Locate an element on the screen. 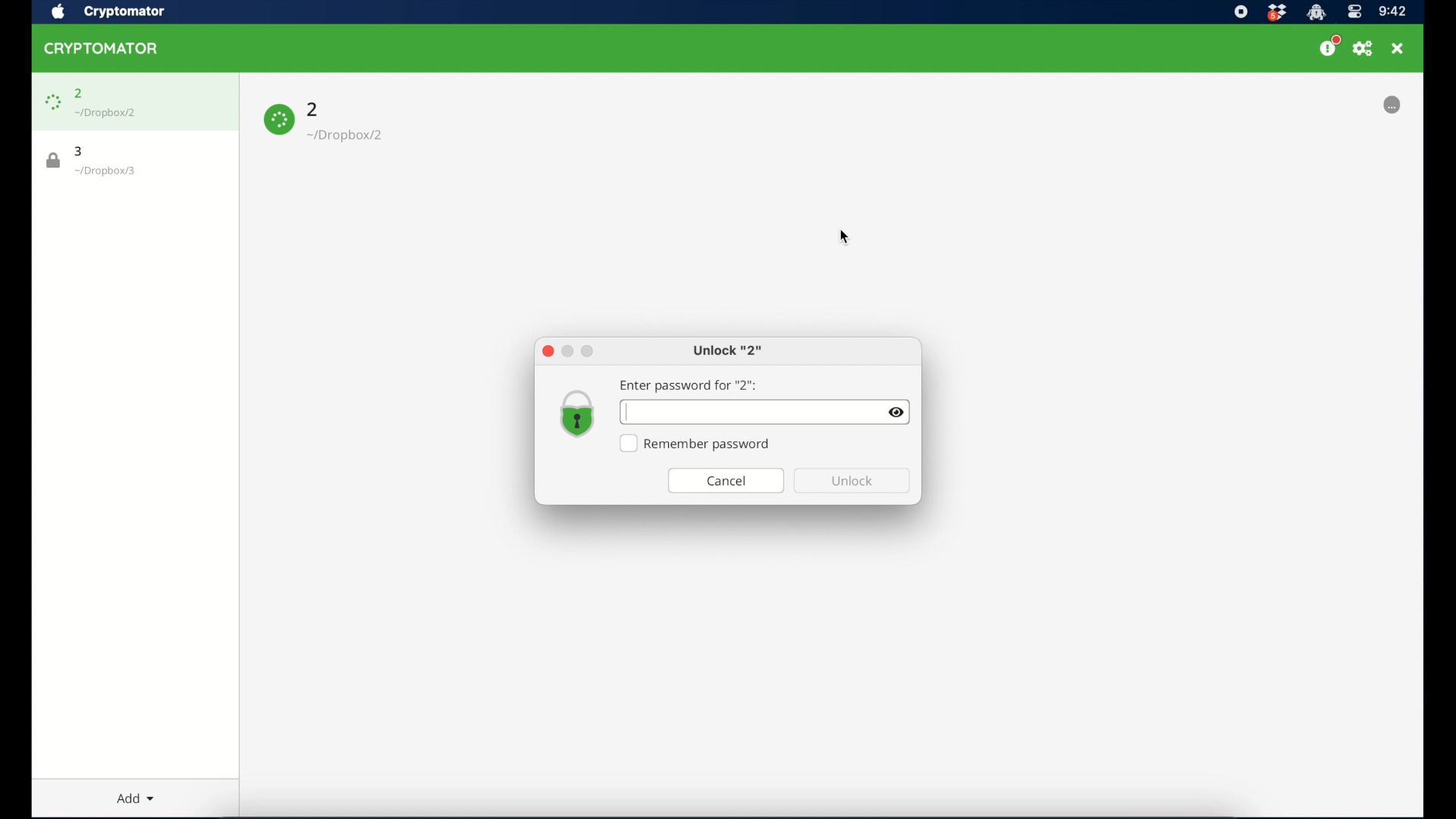 The height and width of the screenshot is (819, 1456). 3 is located at coordinates (80, 151).